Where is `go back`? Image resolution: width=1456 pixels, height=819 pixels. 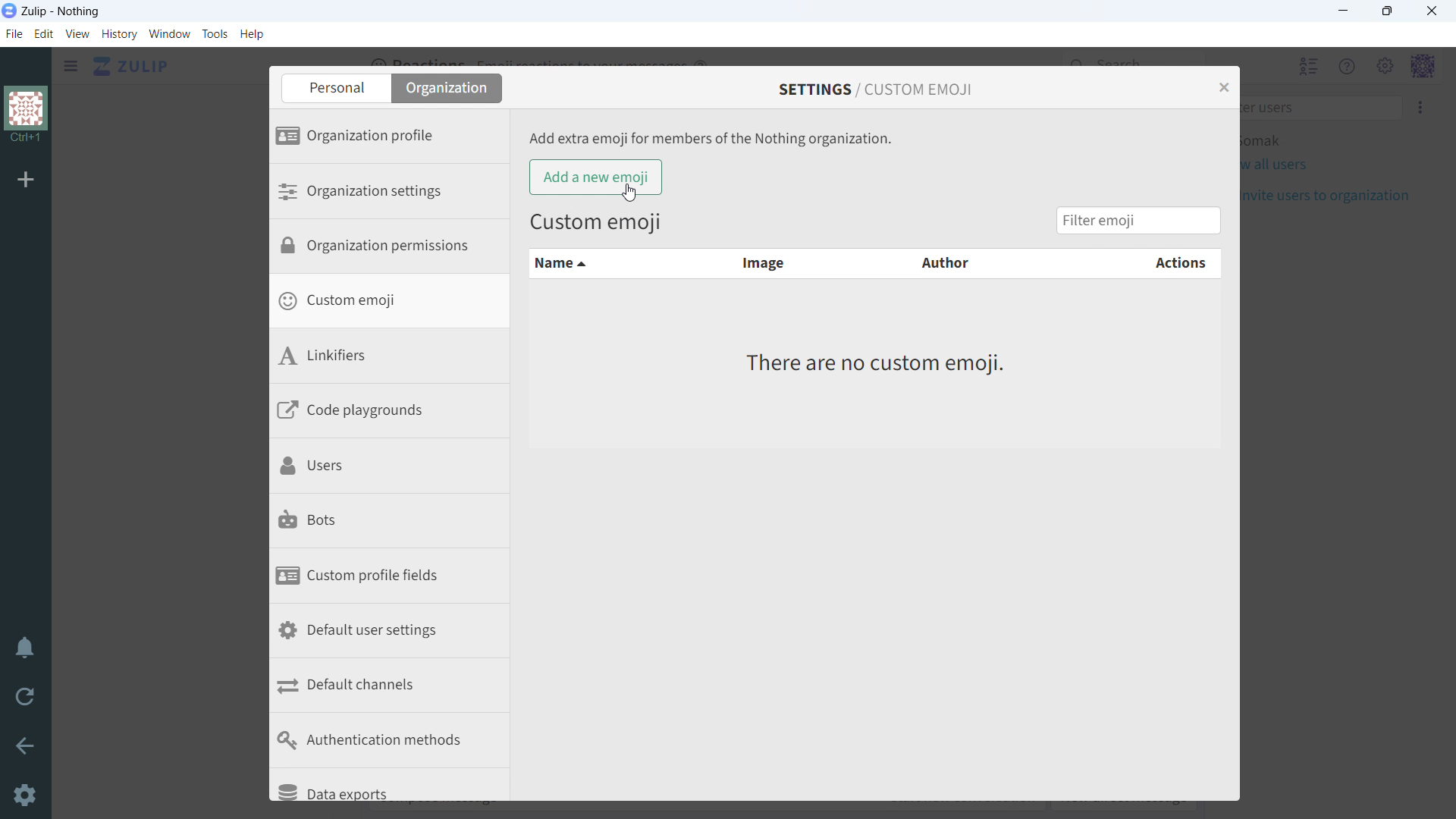 go back is located at coordinates (24, 745).